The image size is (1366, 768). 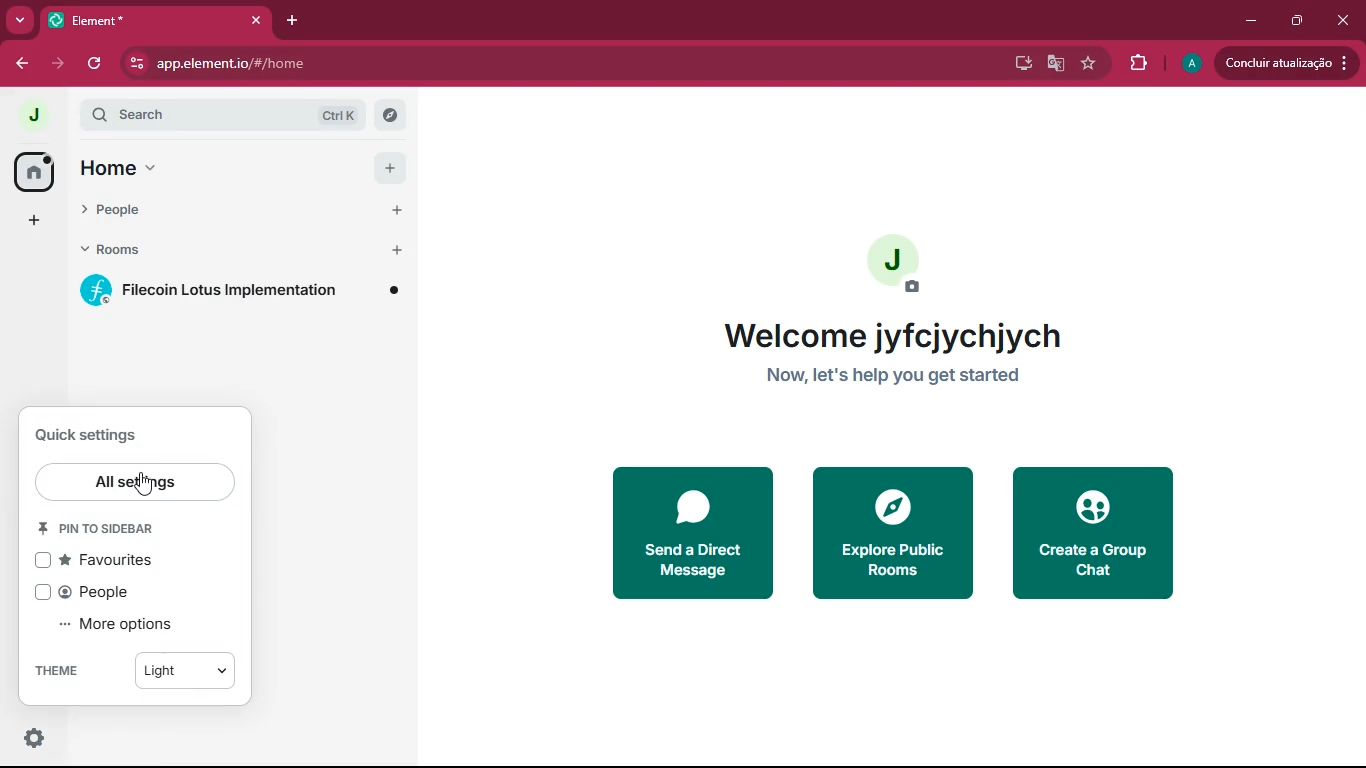 What do you see at coordinates (899, 377) in the screenshot?
I see `now, let's help you get started` at bounding box center [899, 377].